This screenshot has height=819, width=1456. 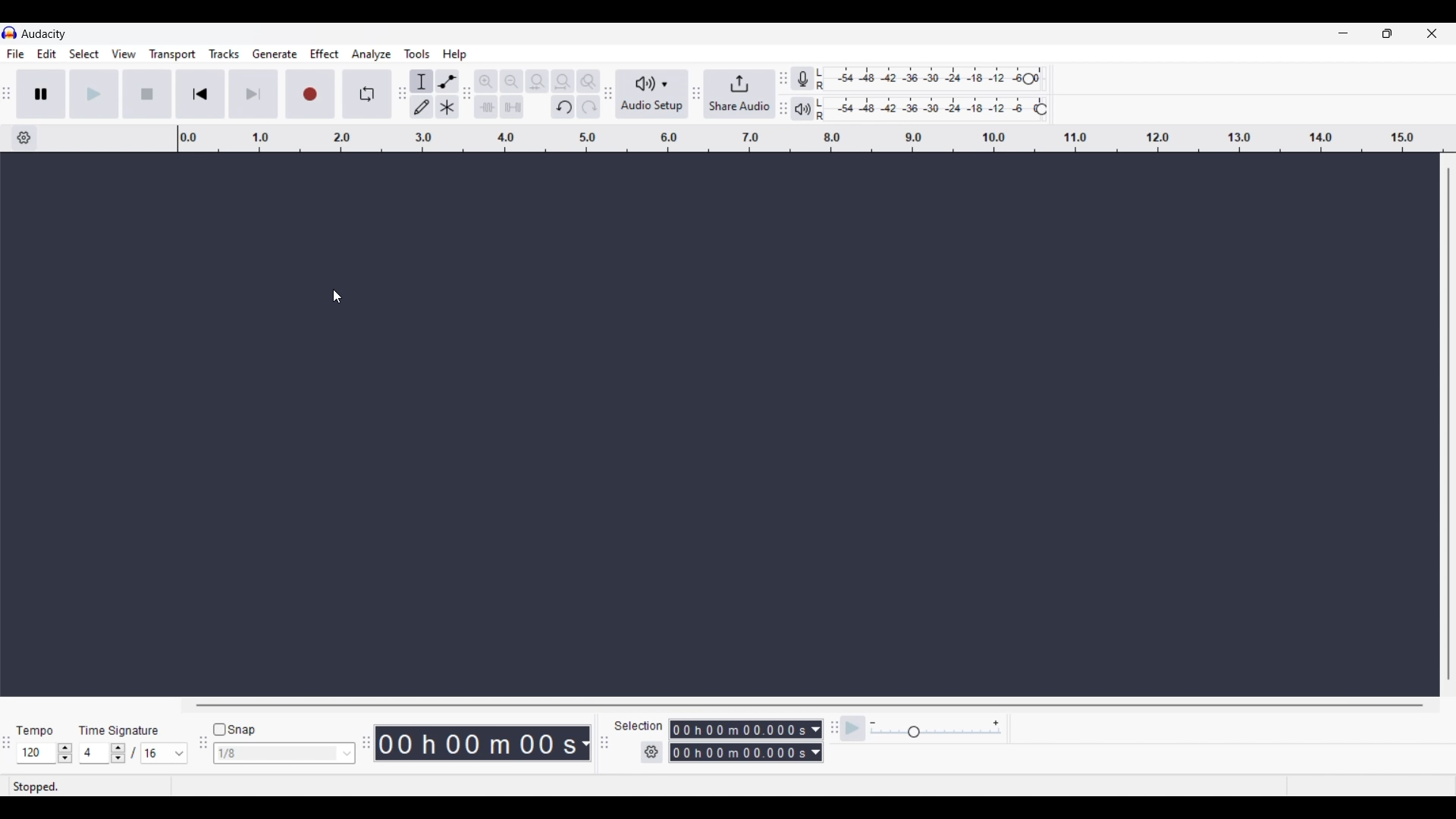 I want to click on Shows recorded duration, so click(x=476, y=743).